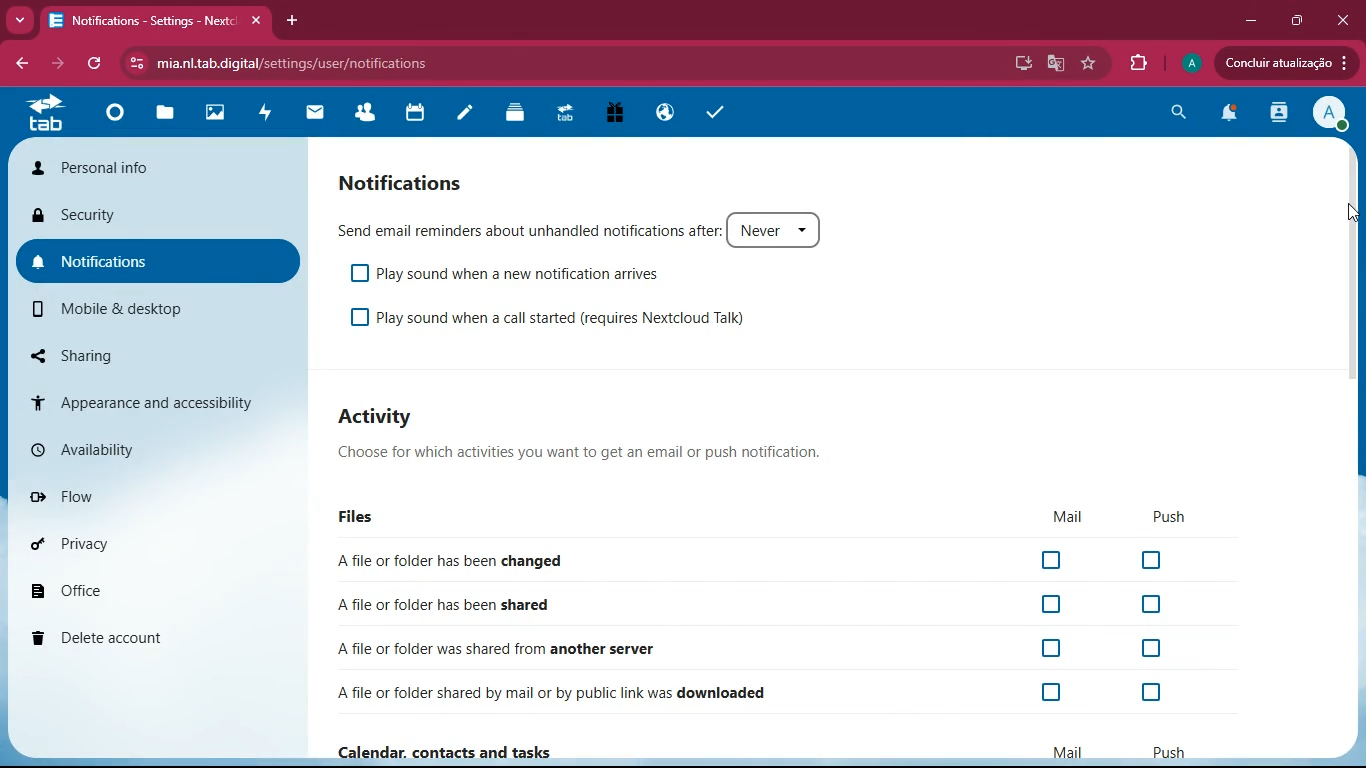 The height and width of the screenshot is (768, 1366). I want to click on Calendar, so click(418, 112).